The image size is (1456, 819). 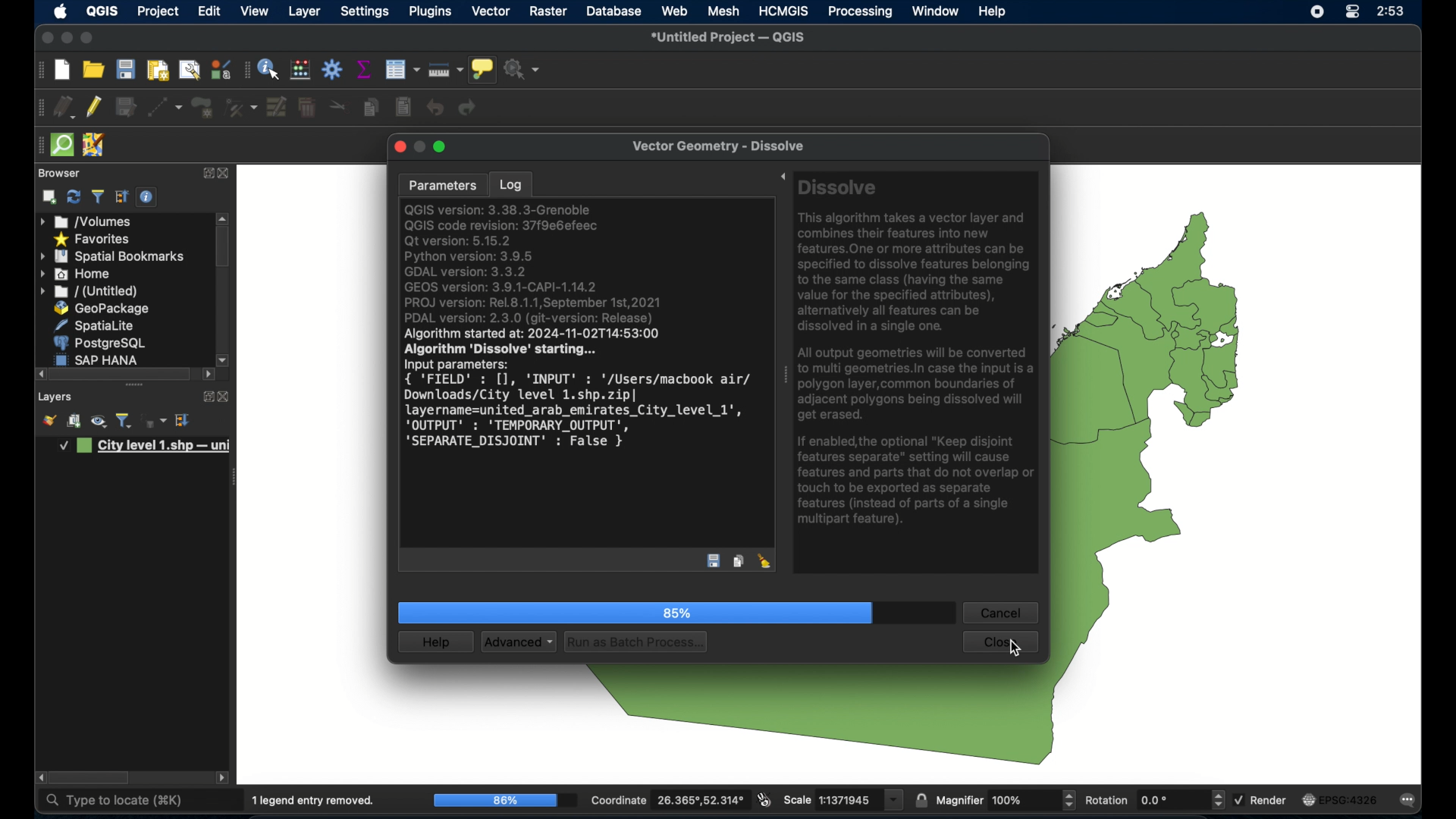 I want to click on spatial lite, so click(x=96, y=325).